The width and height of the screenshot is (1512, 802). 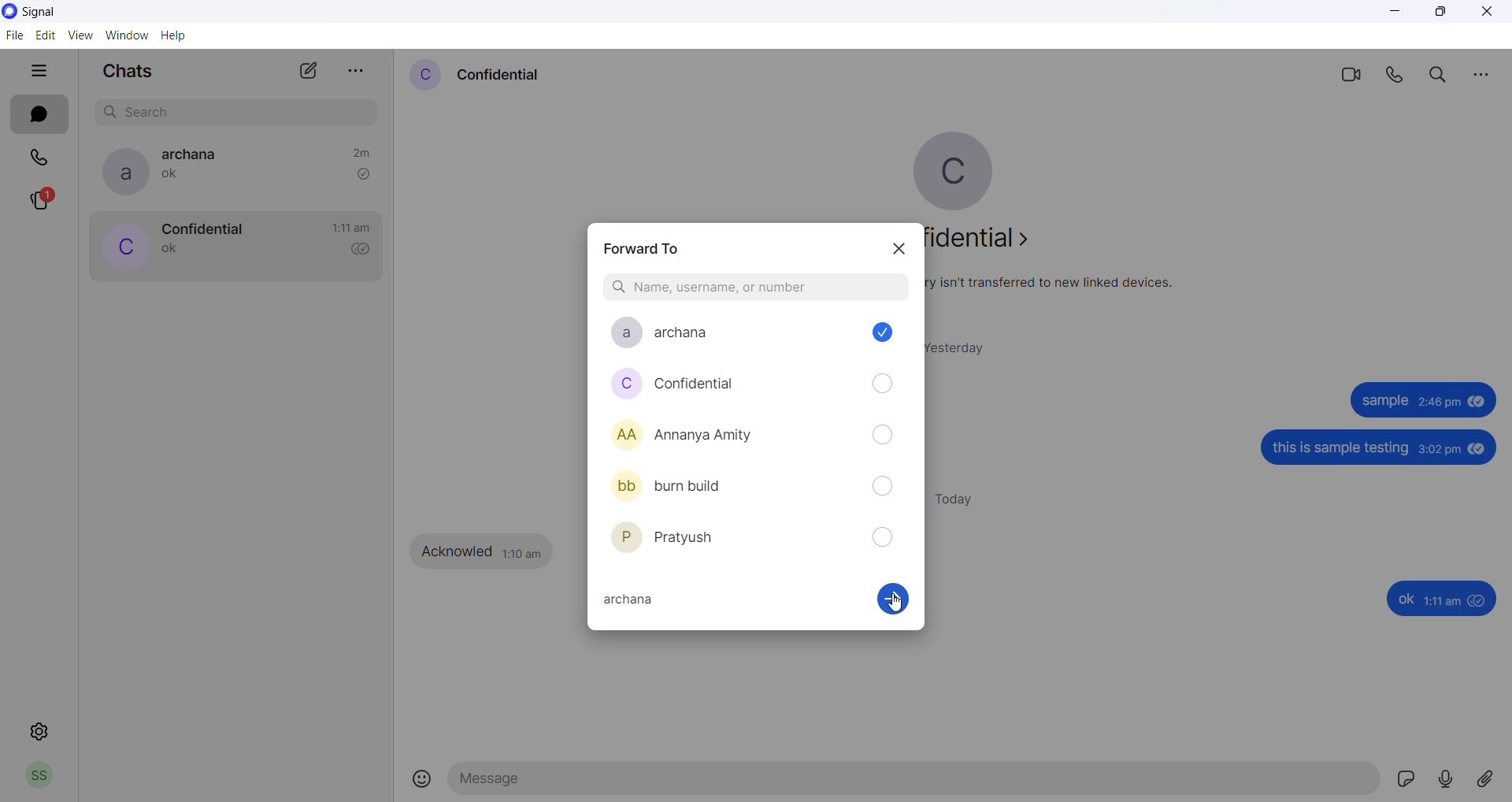 I want to click on forward checkbox, so click(x=882, y=438).